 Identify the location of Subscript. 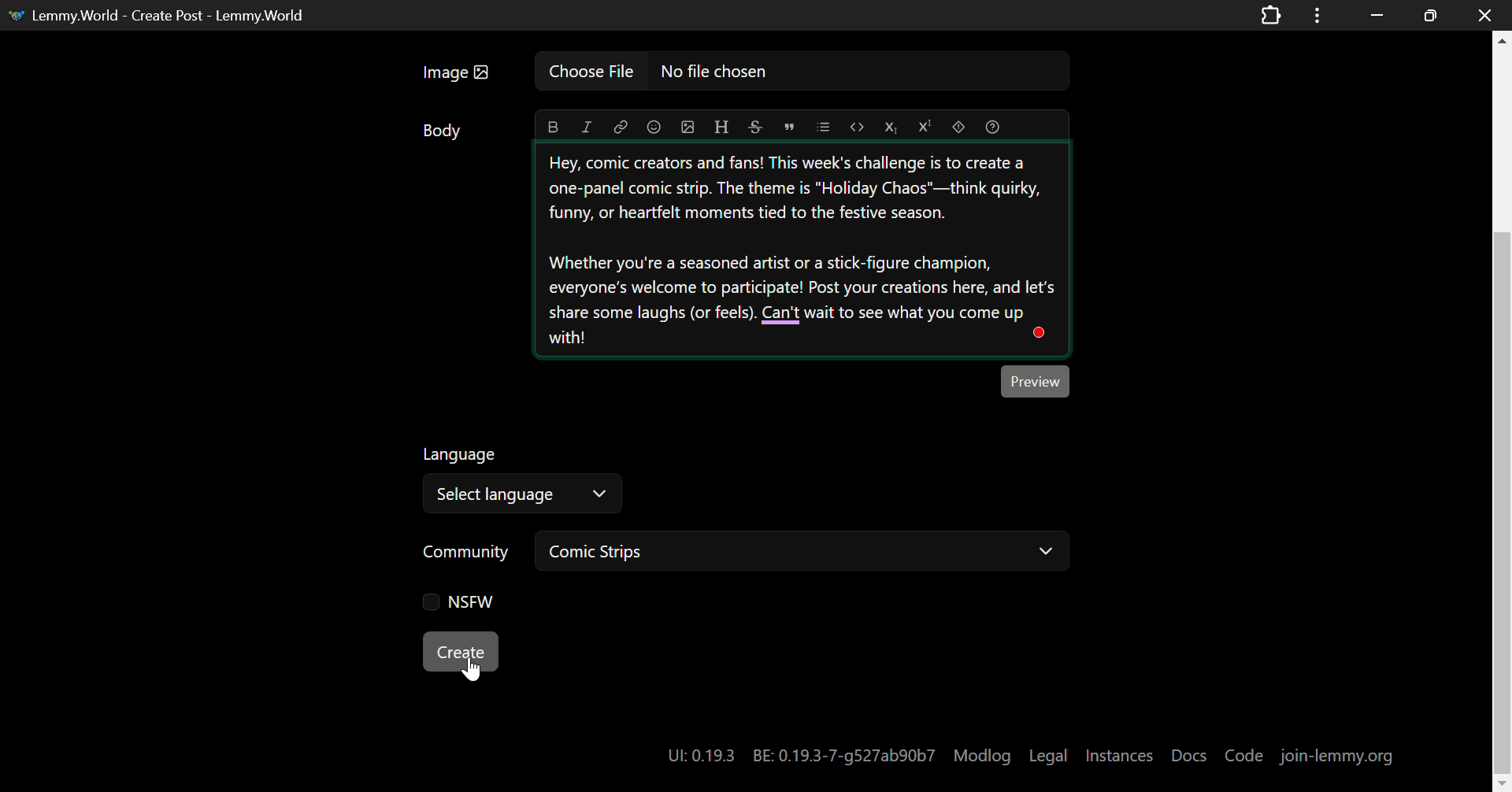
(889, 127).